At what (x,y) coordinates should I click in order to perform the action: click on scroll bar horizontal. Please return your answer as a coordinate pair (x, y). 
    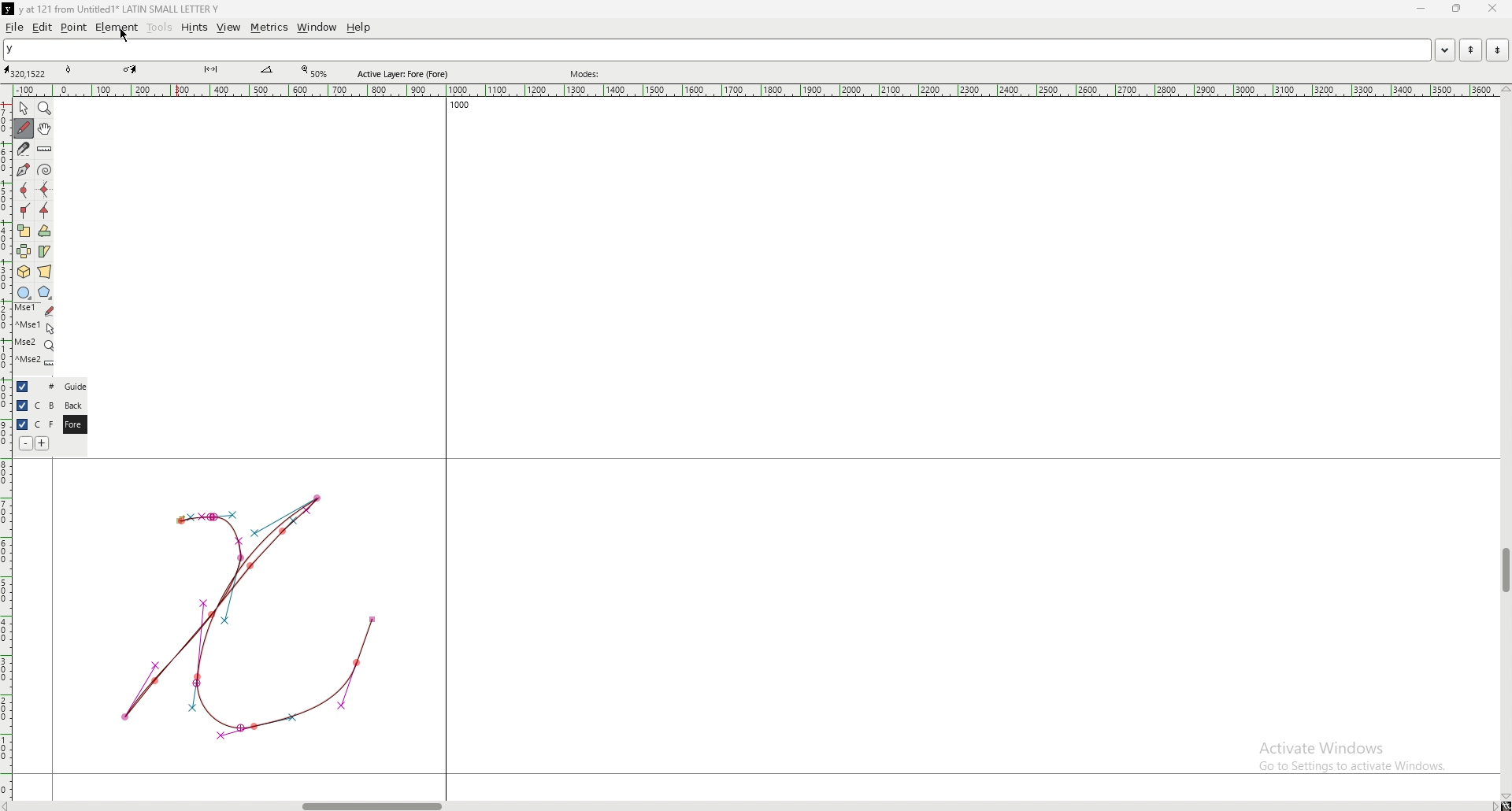
    Looking at the image, I should click on (372, 802).